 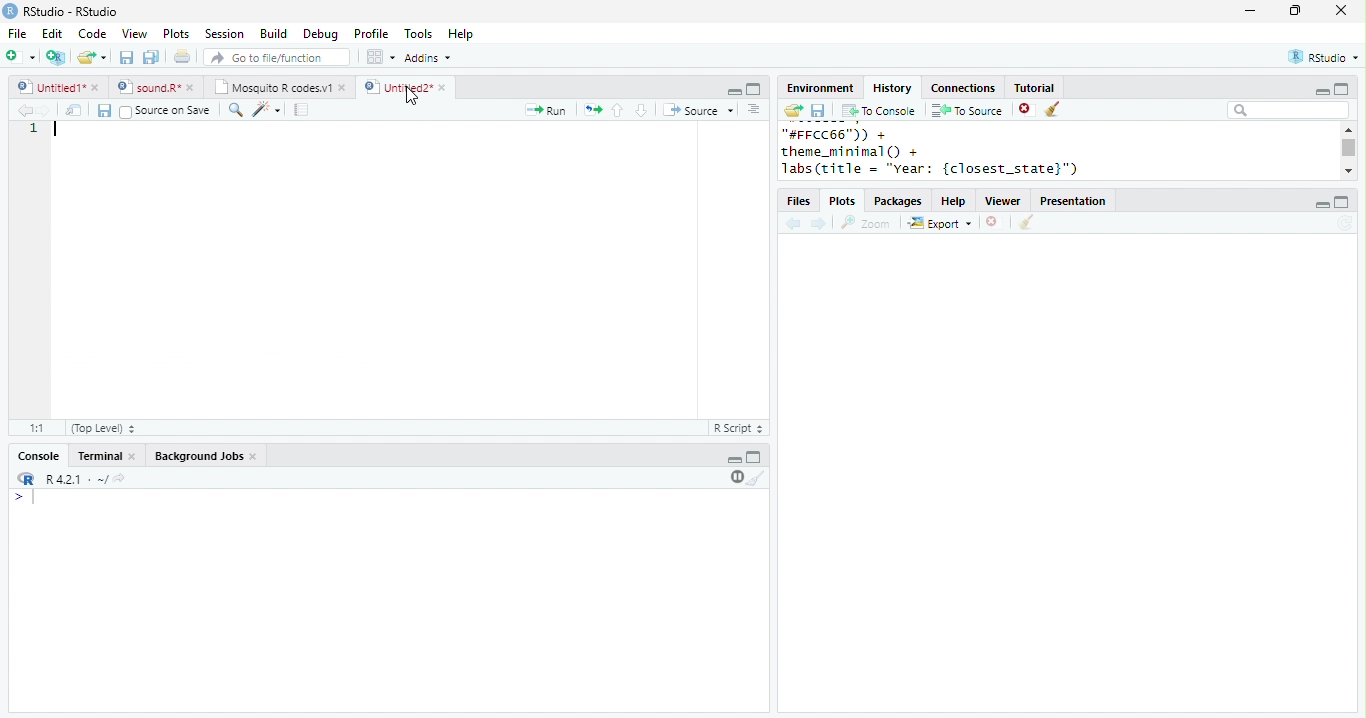 I want to click on Edit, so click(x=52, y=34).